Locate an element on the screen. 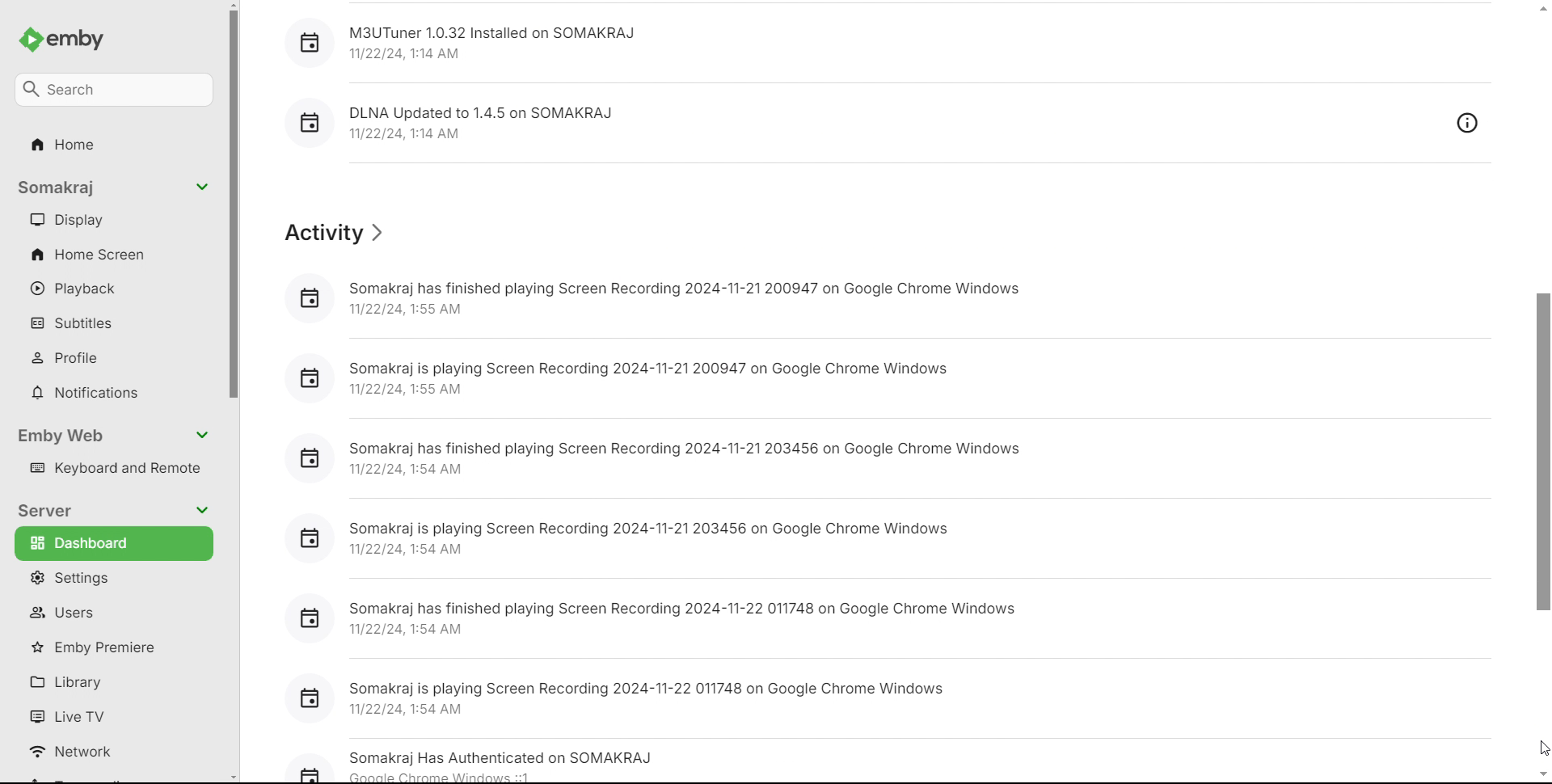  live tv is located at coordinates (113, 712).